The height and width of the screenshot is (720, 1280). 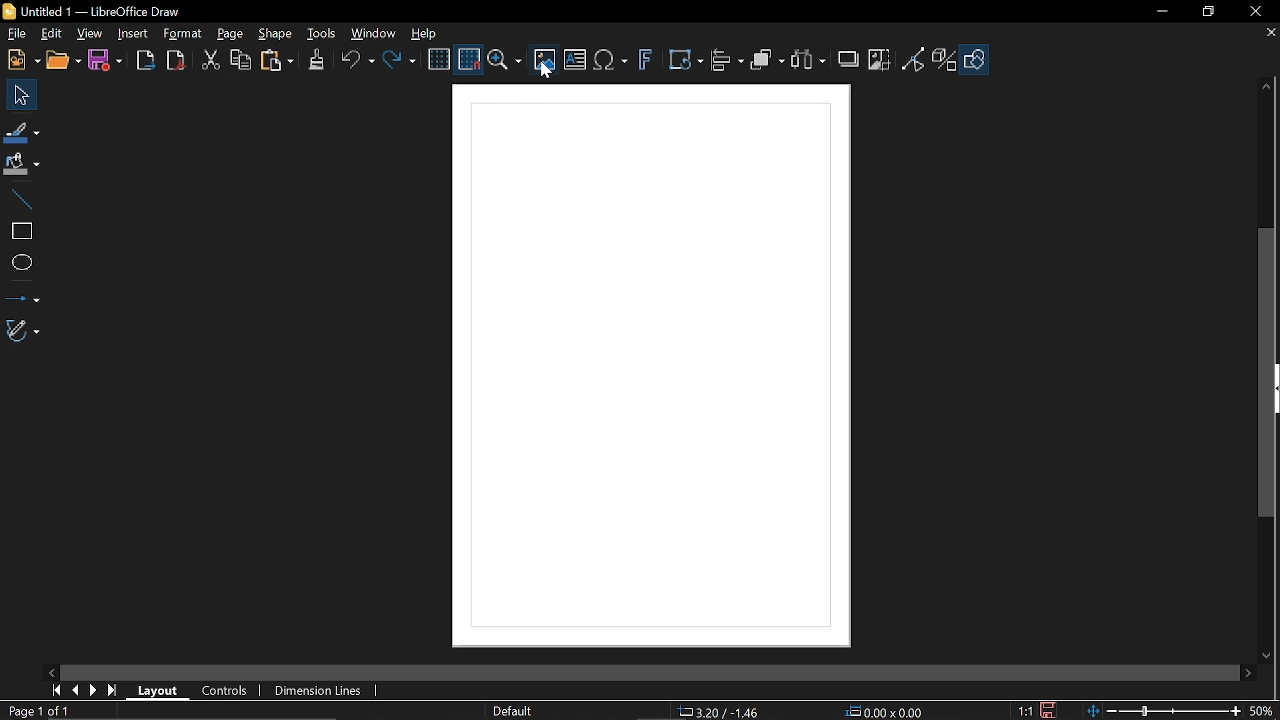 I want to click on cursor, so click(x=547, y=70).